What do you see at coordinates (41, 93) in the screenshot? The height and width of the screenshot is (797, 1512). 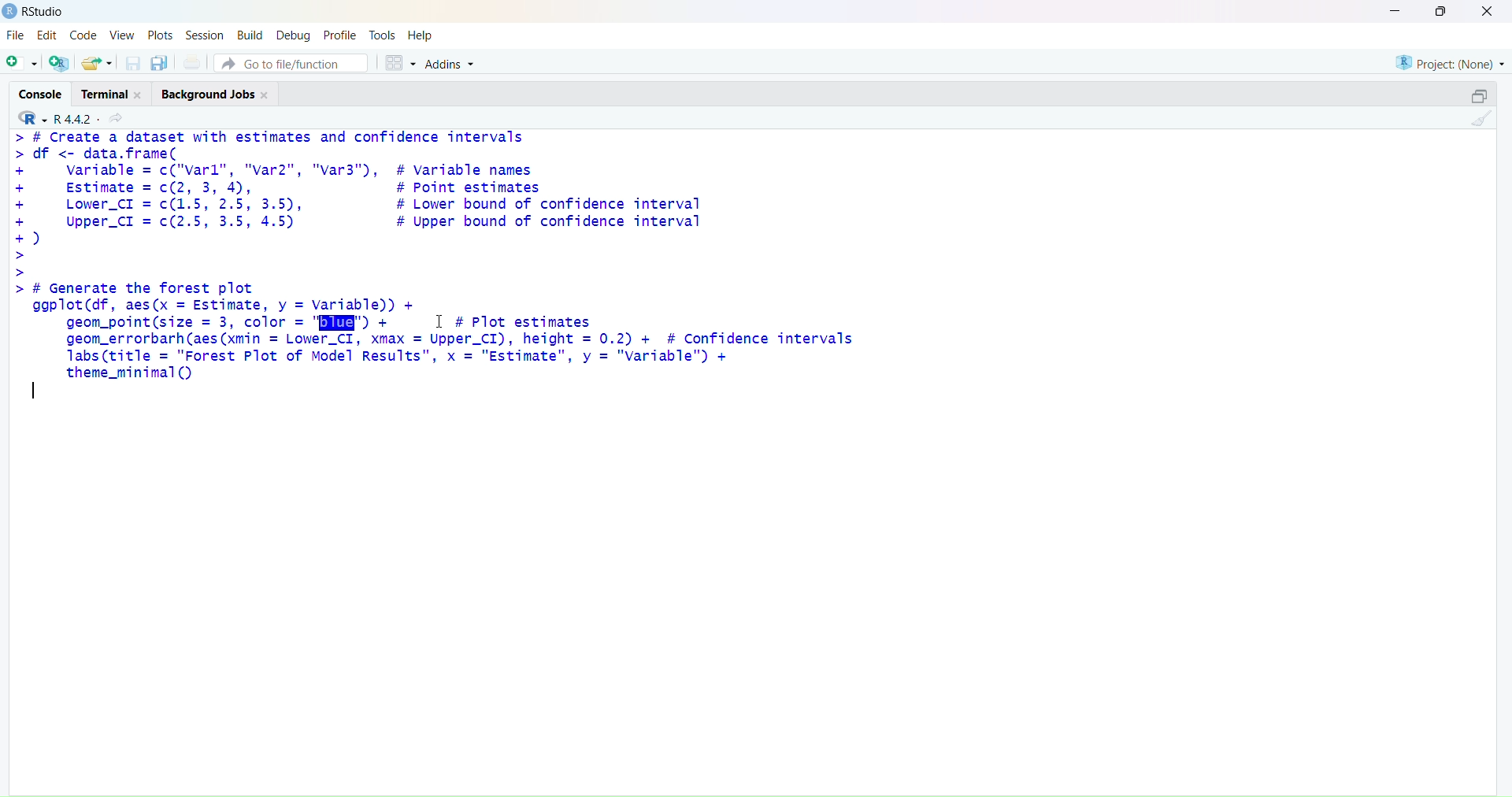 I see `Console` at bounding box center [41, 93].